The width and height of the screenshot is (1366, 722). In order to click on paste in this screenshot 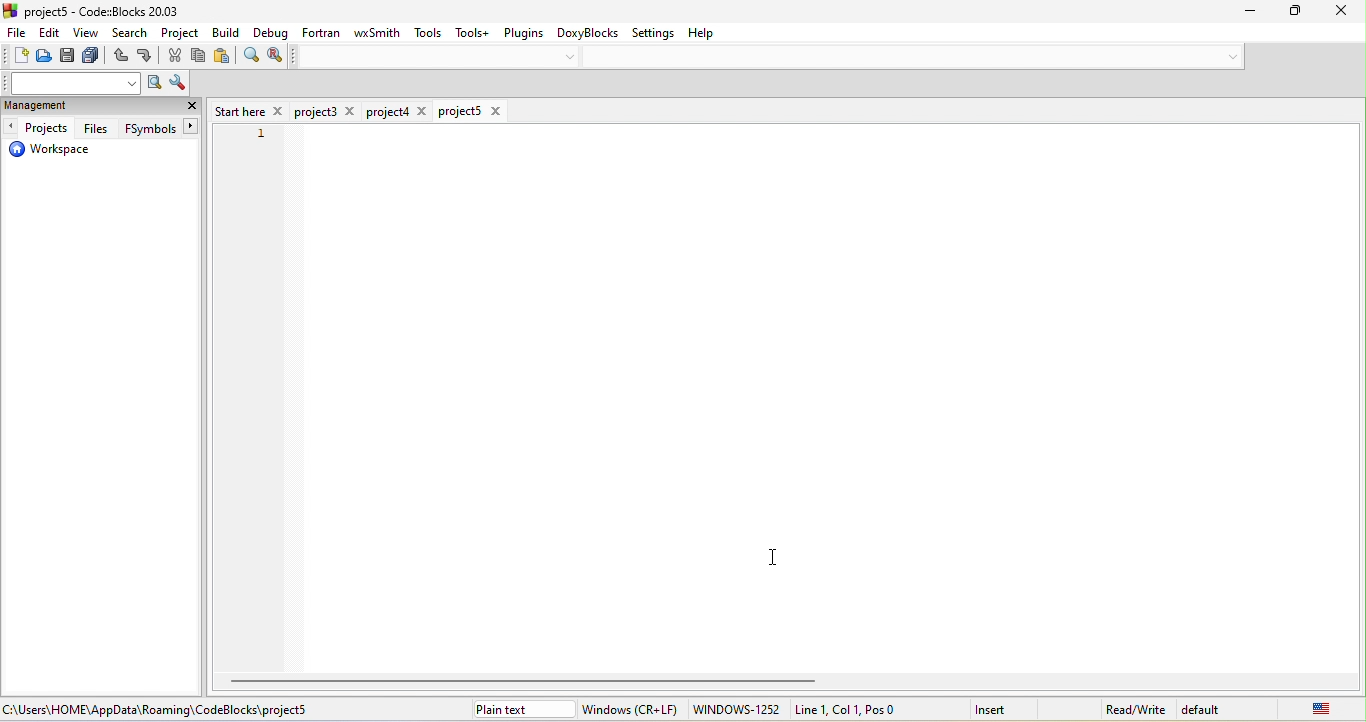, I will do `click(223, 58)`.